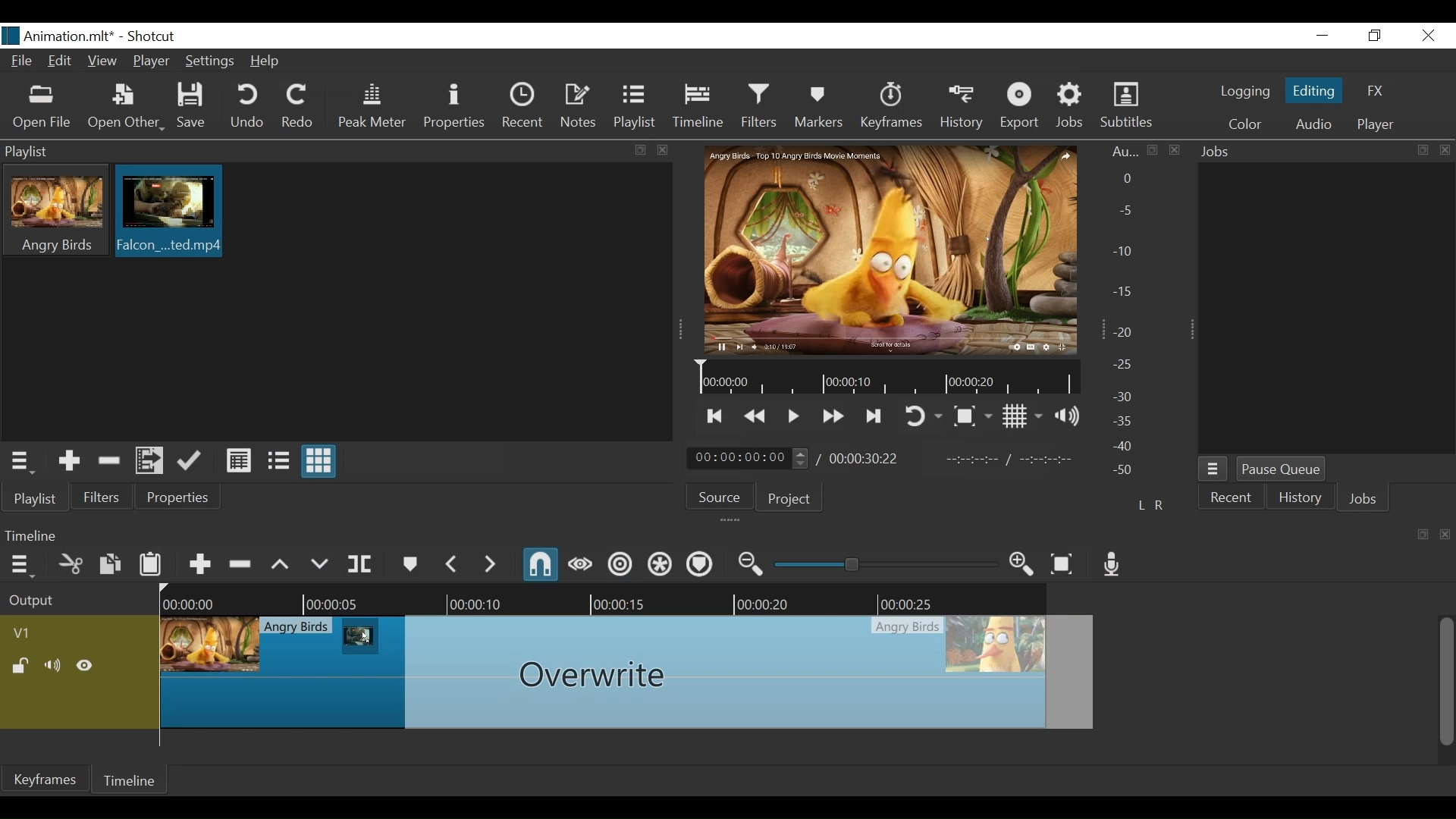 The width and height of the screenshot is (1456, 819). I want to click on Mute, so click(54, 666).